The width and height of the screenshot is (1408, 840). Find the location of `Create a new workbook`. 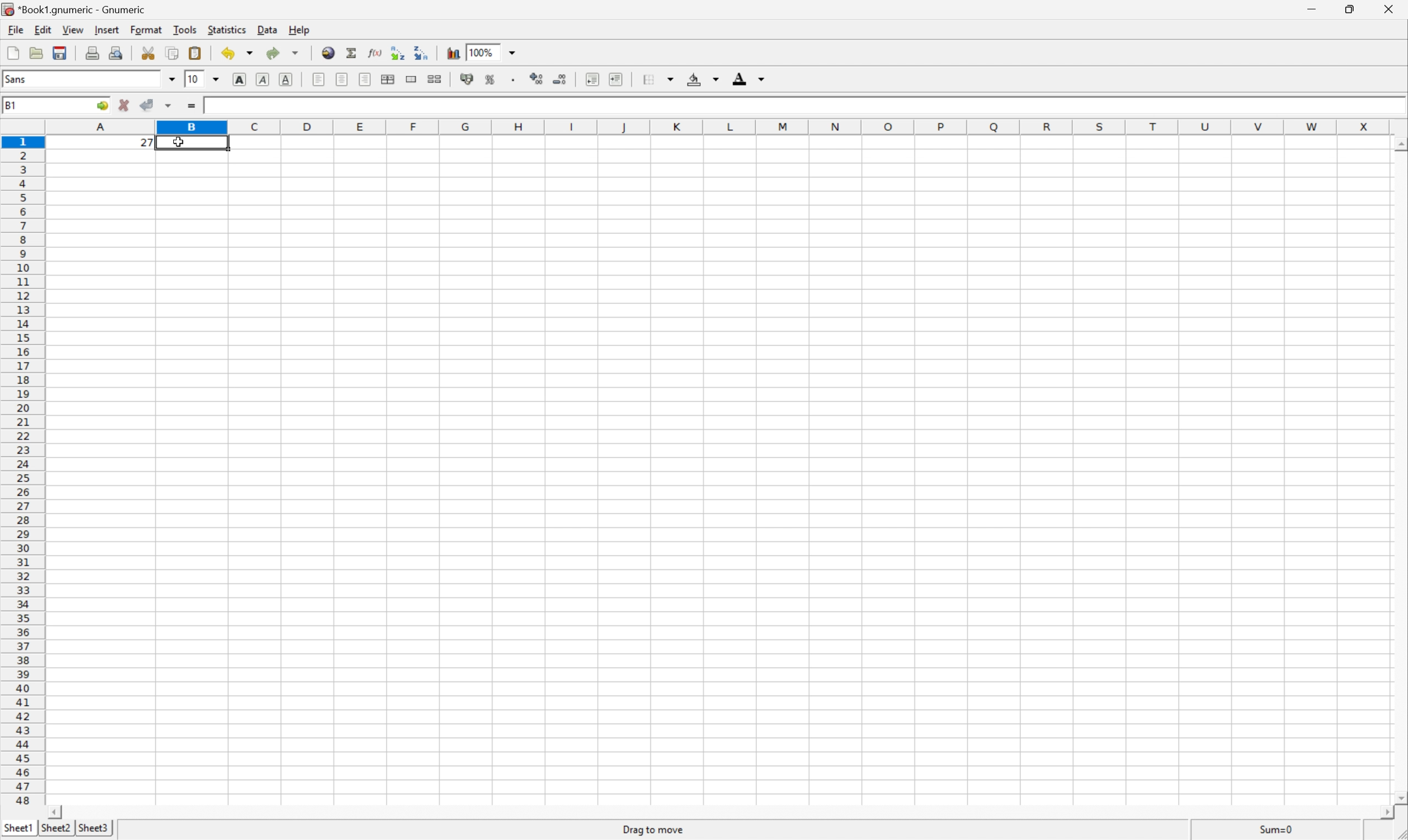

Create a new workbook is located at coordinates (12, 52).